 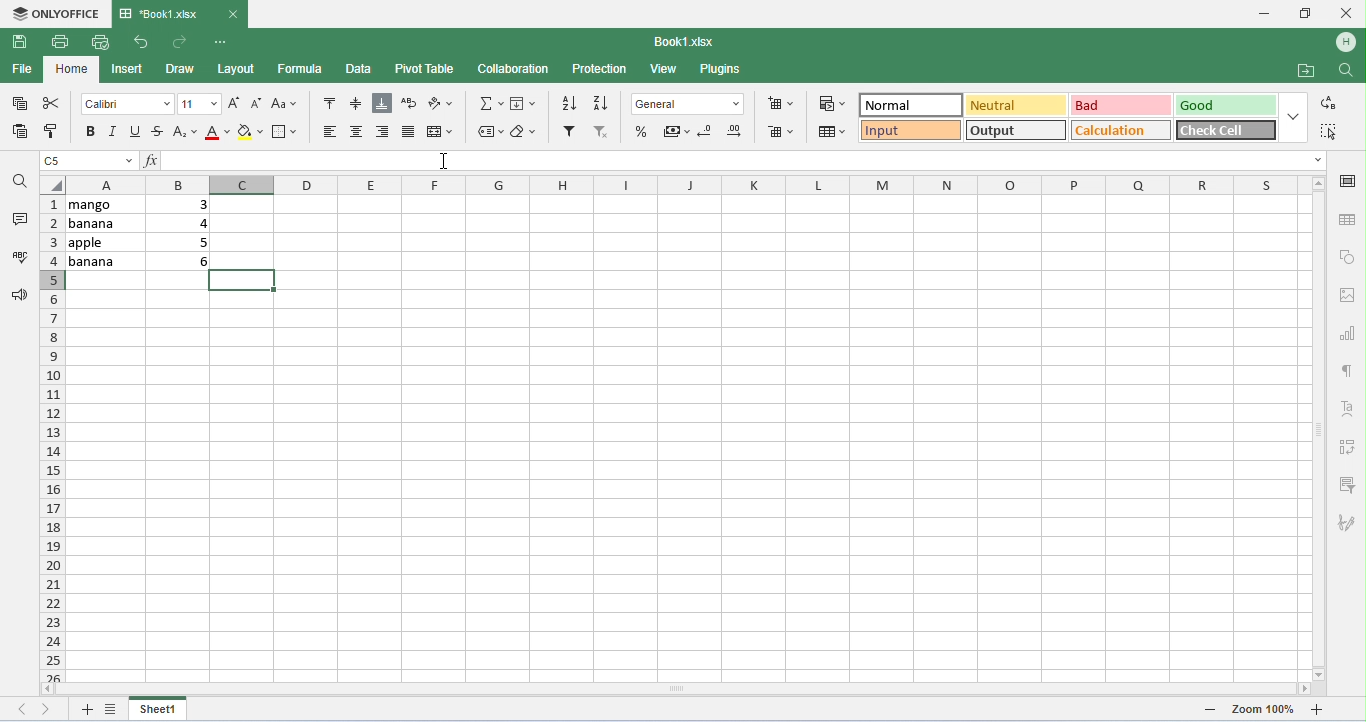 I want to click on banana, so click(x=106, y=224).